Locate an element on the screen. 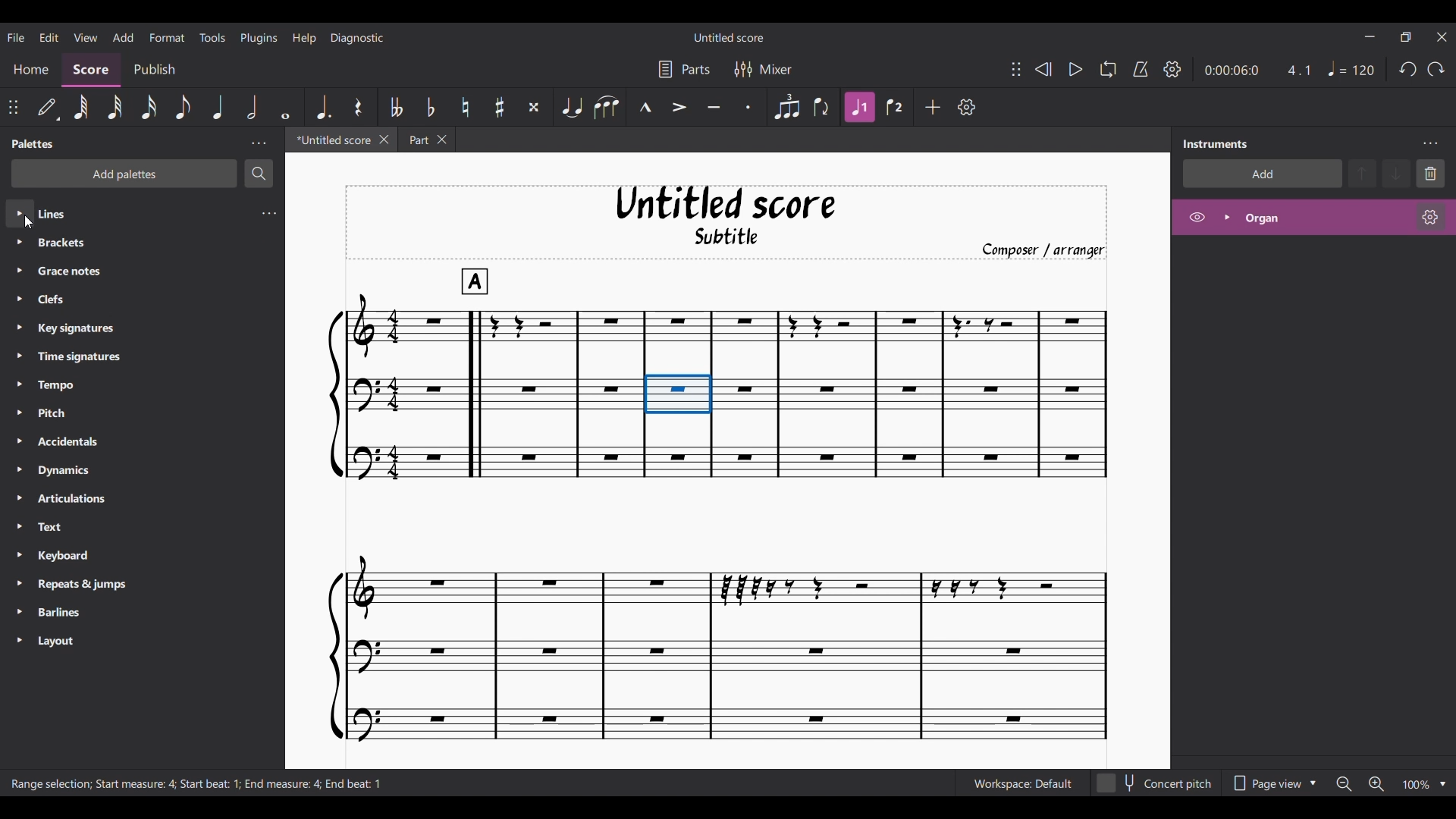 Image resolution: width=1456 pixels, height=819 pixels. Toggle for Concert pitch is located at coordinates (1155, 784).